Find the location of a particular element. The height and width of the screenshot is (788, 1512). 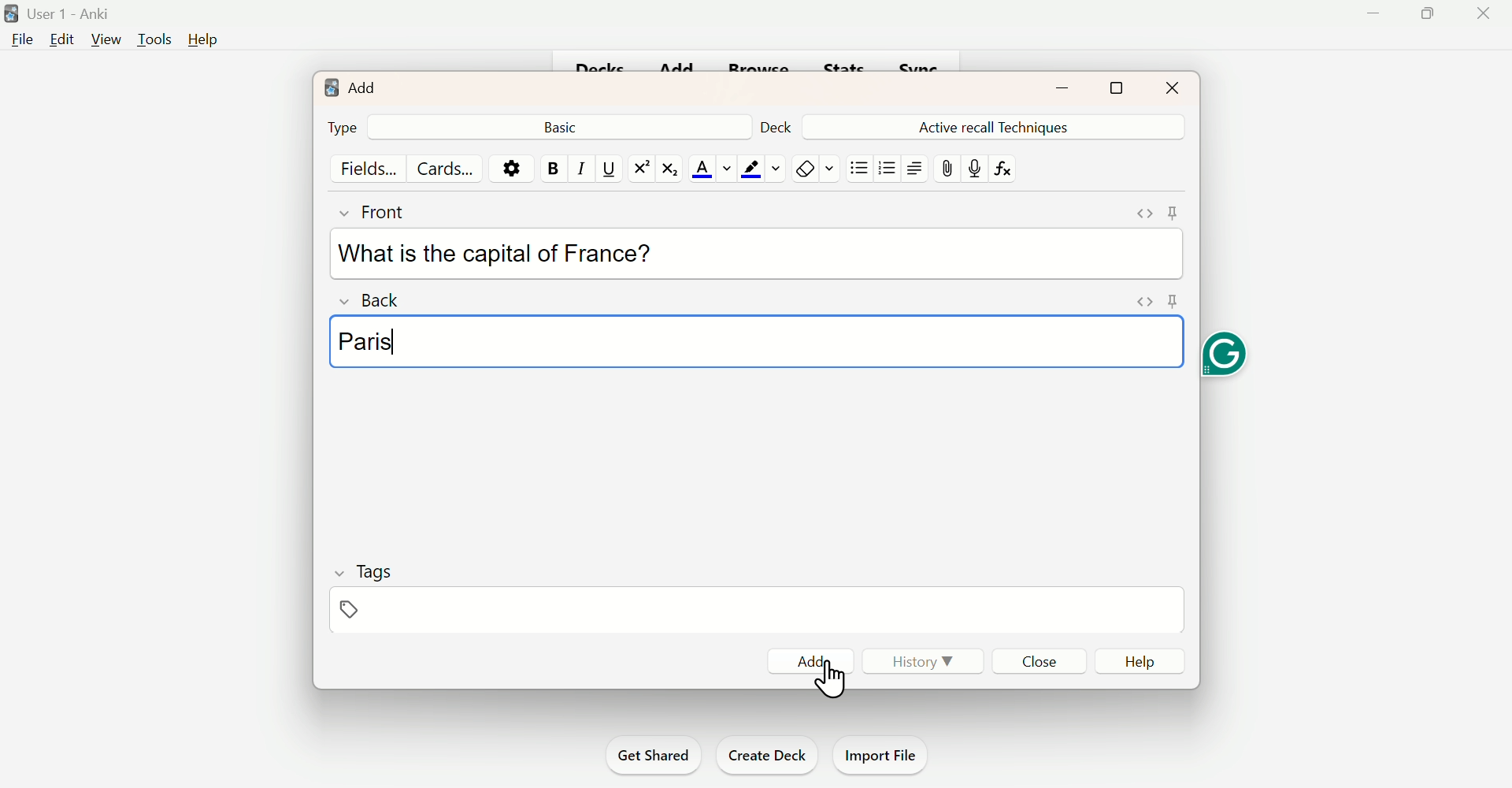

Deck is located at coordinates (773, 124).